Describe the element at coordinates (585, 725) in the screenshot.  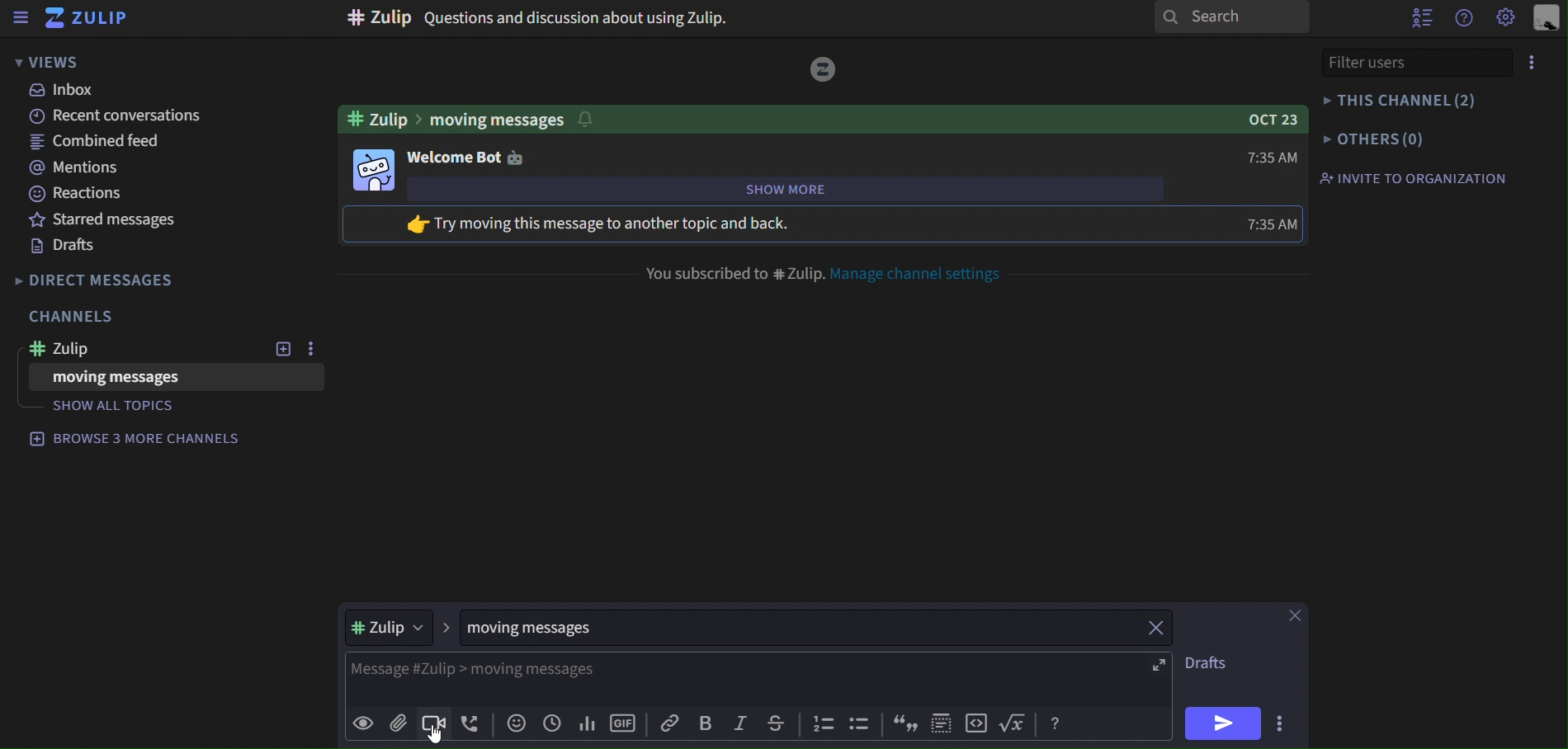
I see `add poll` at that location.